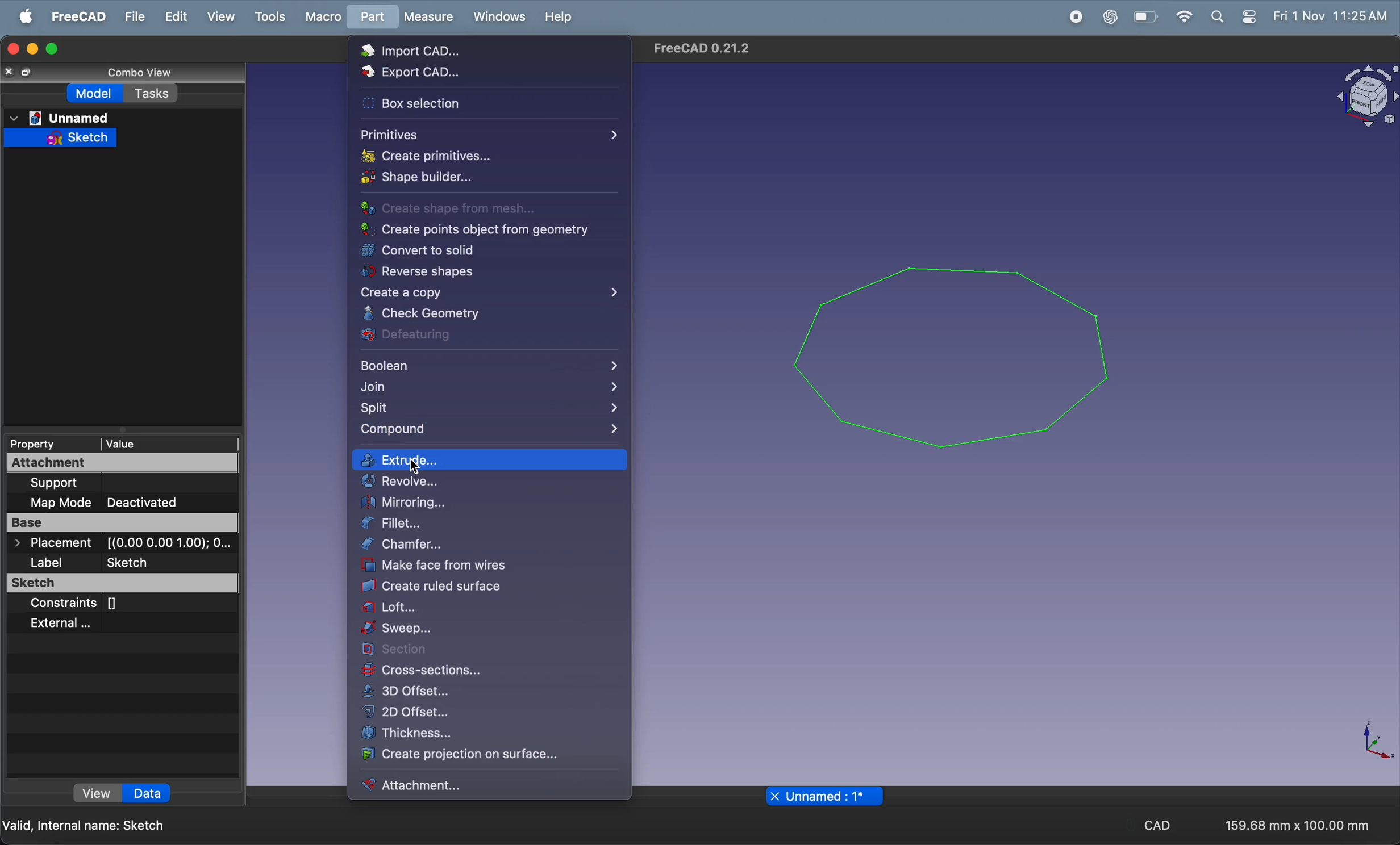 Image resolution: width=1400 pixels, height=845 pixels. Describe the element at coordinates (953, 346) in the screenshot. I see `polygon` at that location.